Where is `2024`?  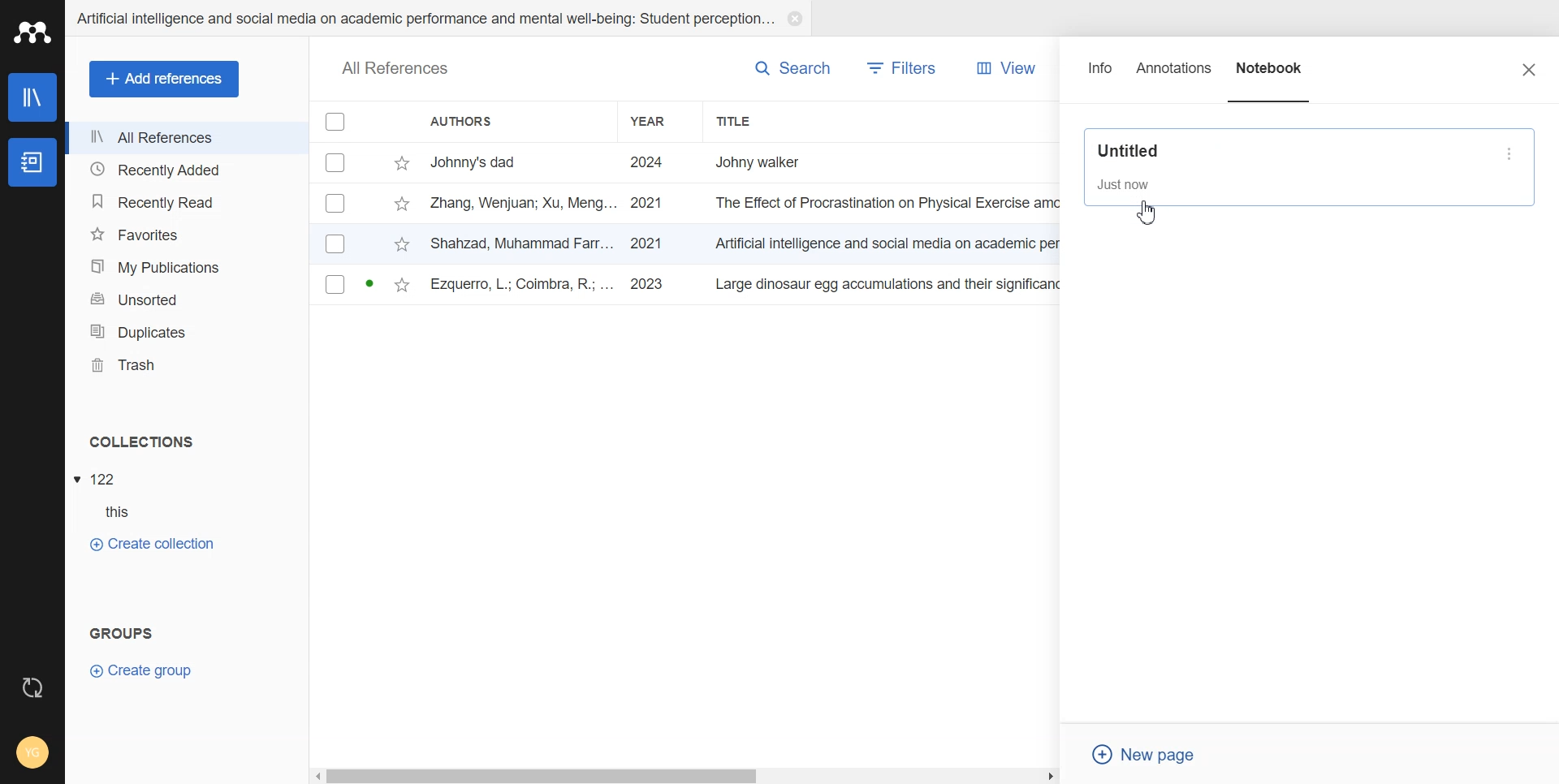
2024 is located at coordinates (648, 163).